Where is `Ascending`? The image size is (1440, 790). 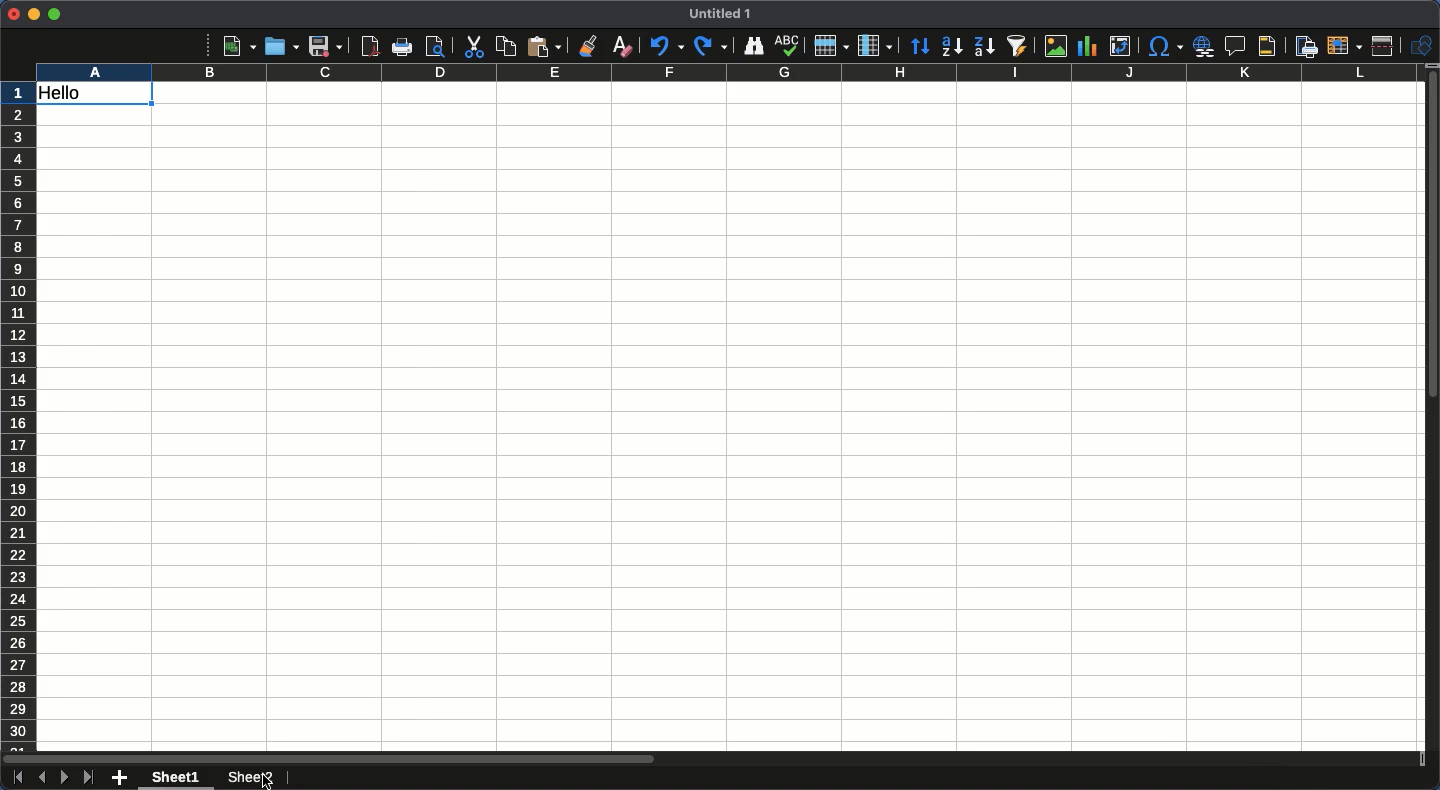
Ascending is located at coordinates (951, 45).